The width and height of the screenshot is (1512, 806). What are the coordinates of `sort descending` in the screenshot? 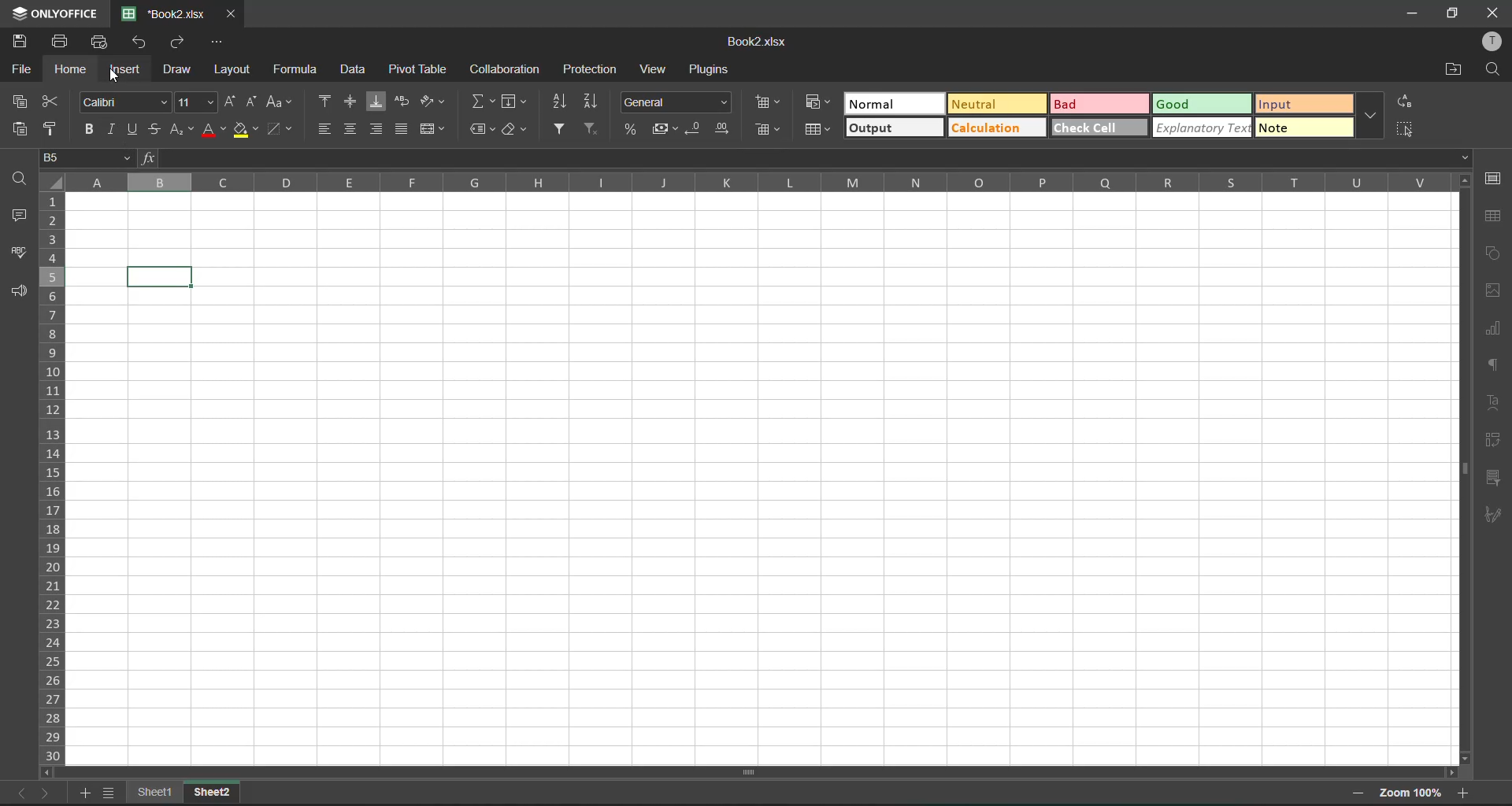 It's located at (595, 102).